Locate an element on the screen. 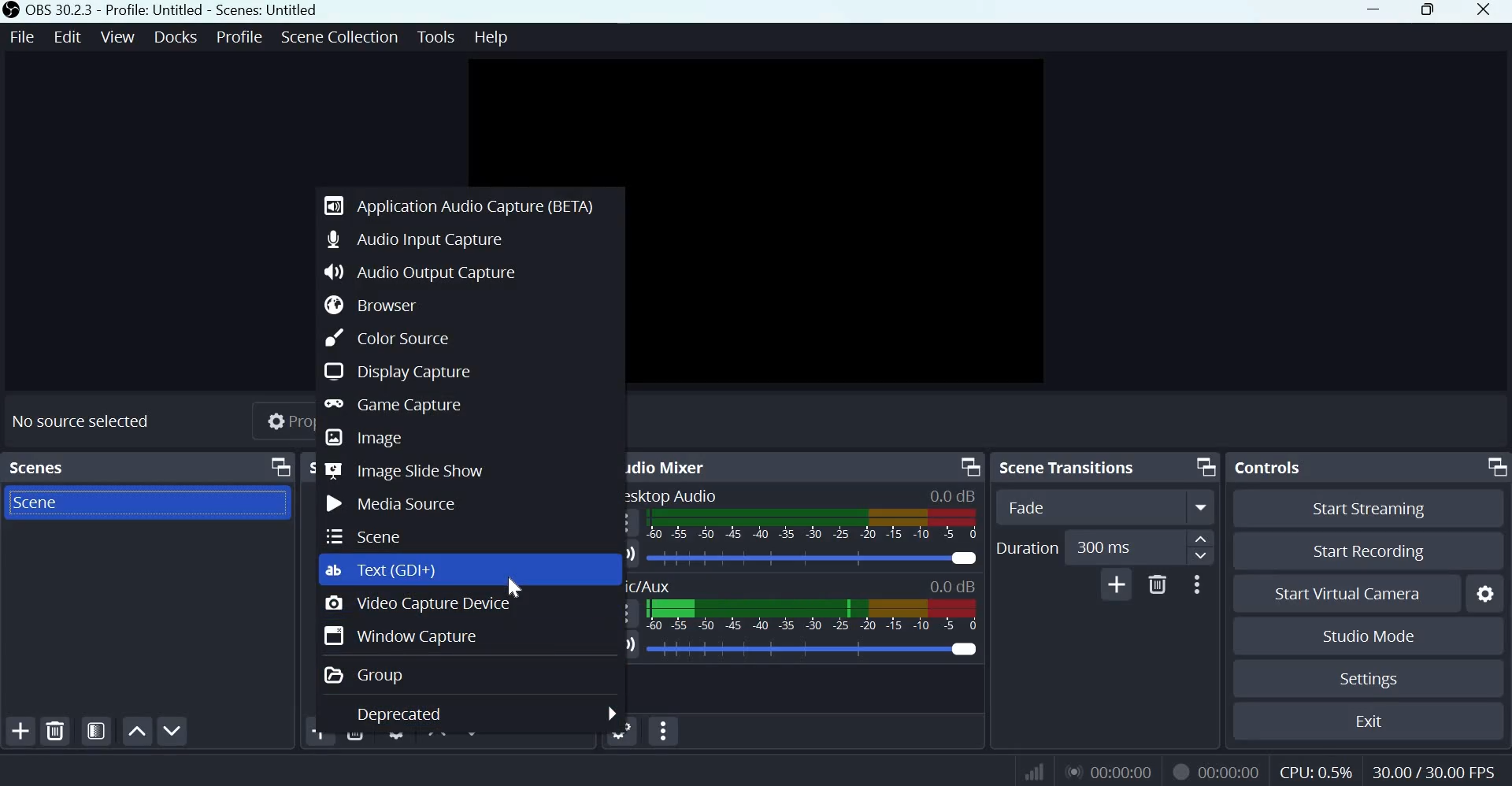 This screenshot has height=786, width=1512. Move scene up is located at coordinates (171, 731).